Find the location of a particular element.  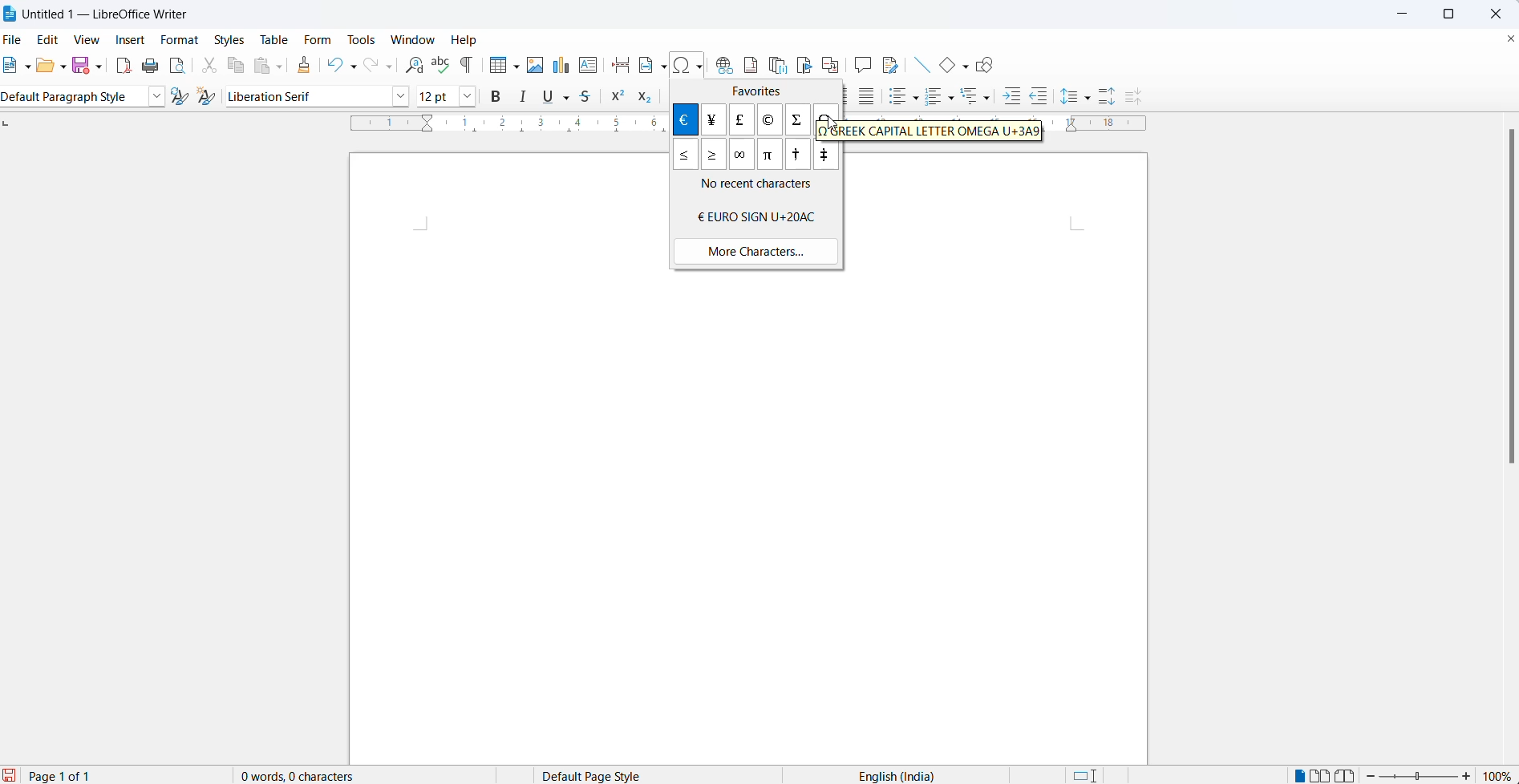

book view is located at coordinates (1349, 774).